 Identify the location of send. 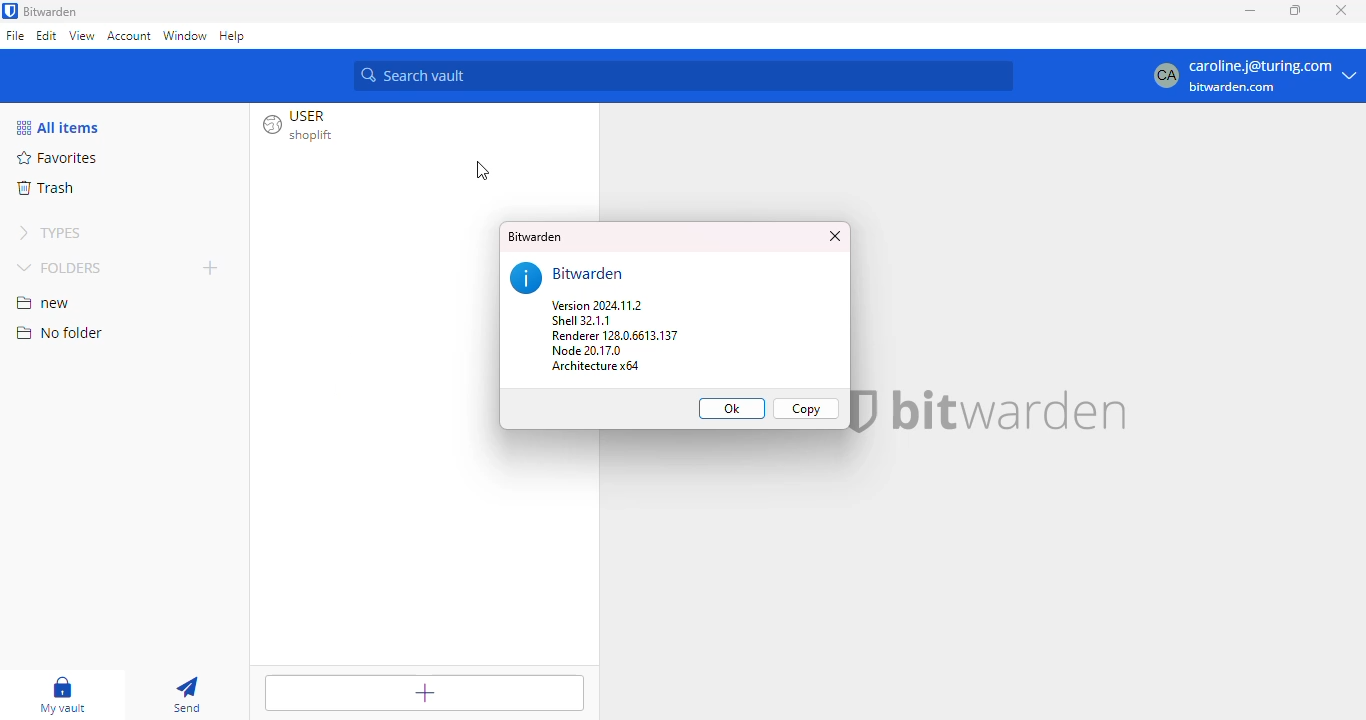
(186, 695).